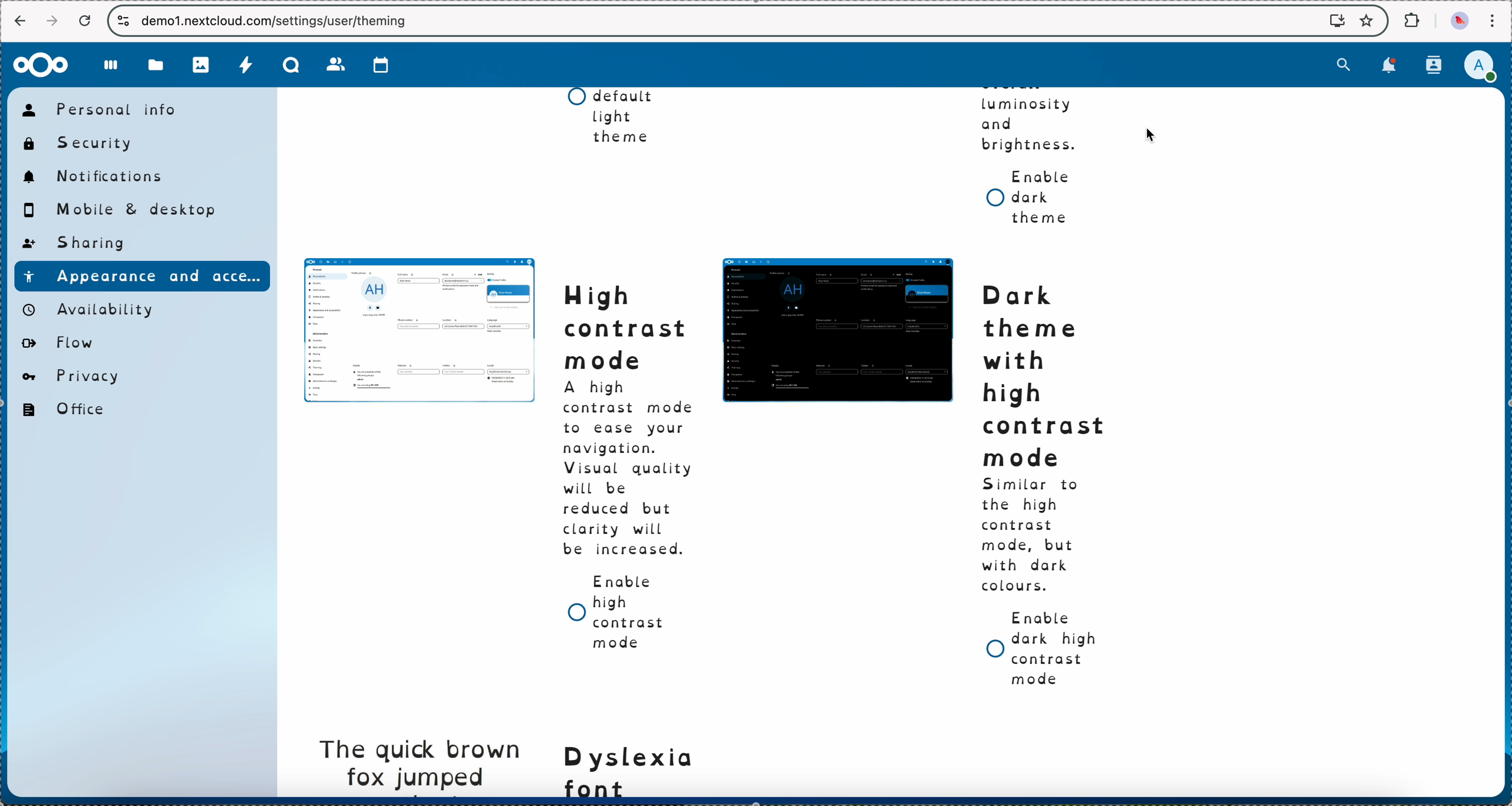 This screenshot has width=1512, height=806. What do you see at coordinates (201, 66) in the screenshot?
I see `photos` at bounding box center [201, 66].